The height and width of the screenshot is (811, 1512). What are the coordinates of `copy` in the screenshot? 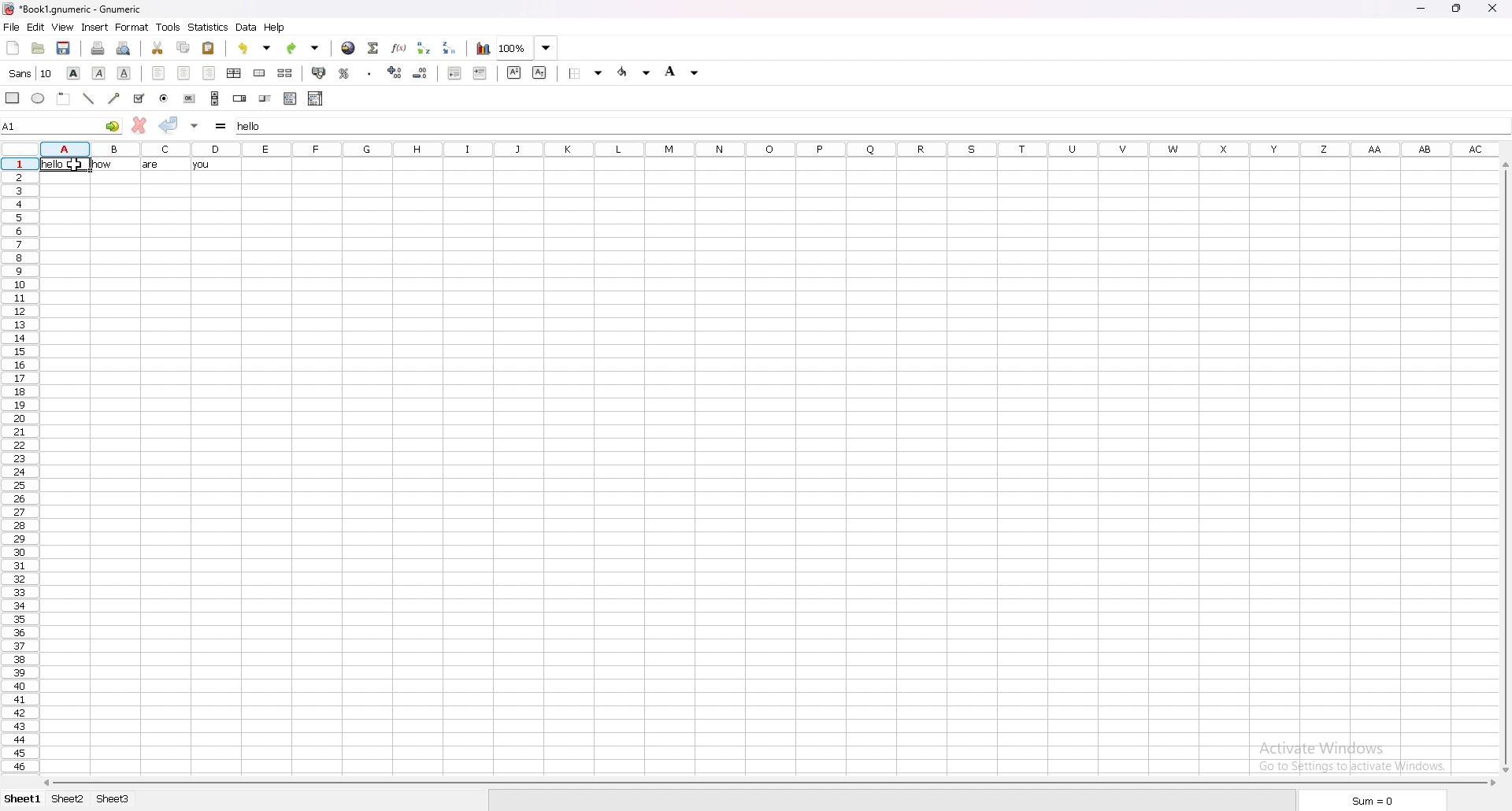 It's located at (183, 47).